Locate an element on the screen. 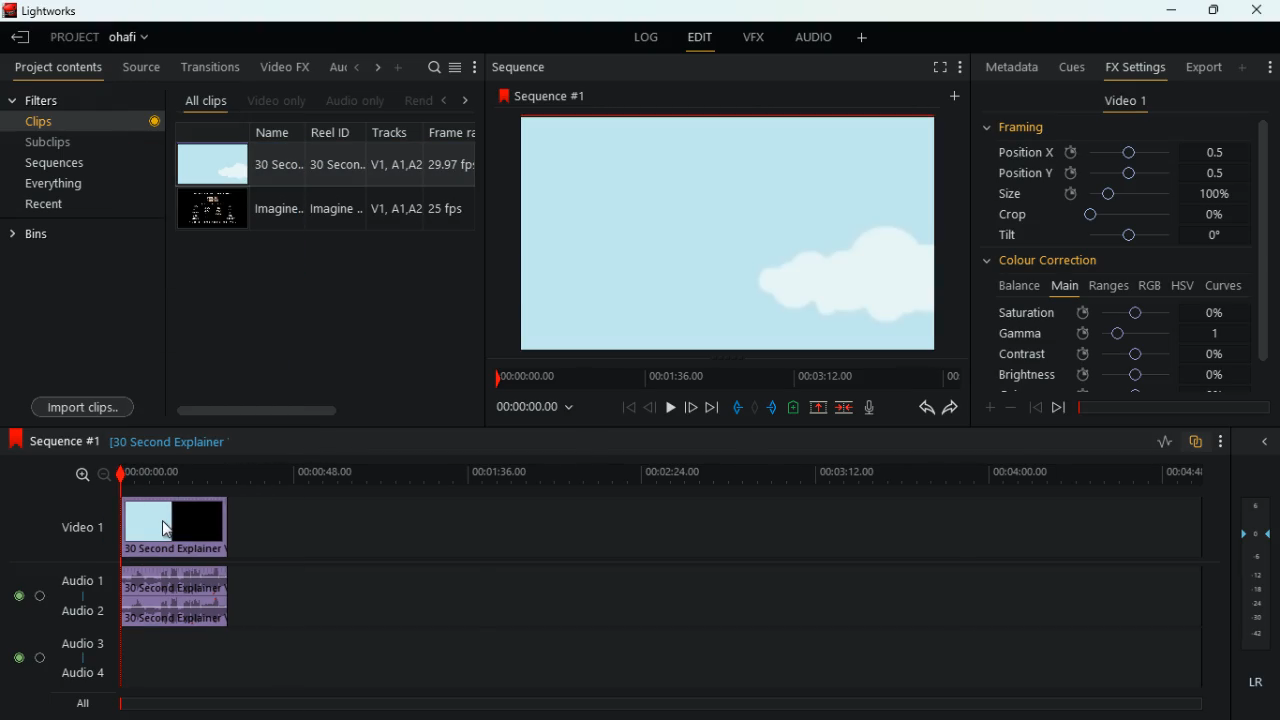 Image resolution: width=1280 pixels, height=720 pixels. project contents is located at coordinates (56, 69).